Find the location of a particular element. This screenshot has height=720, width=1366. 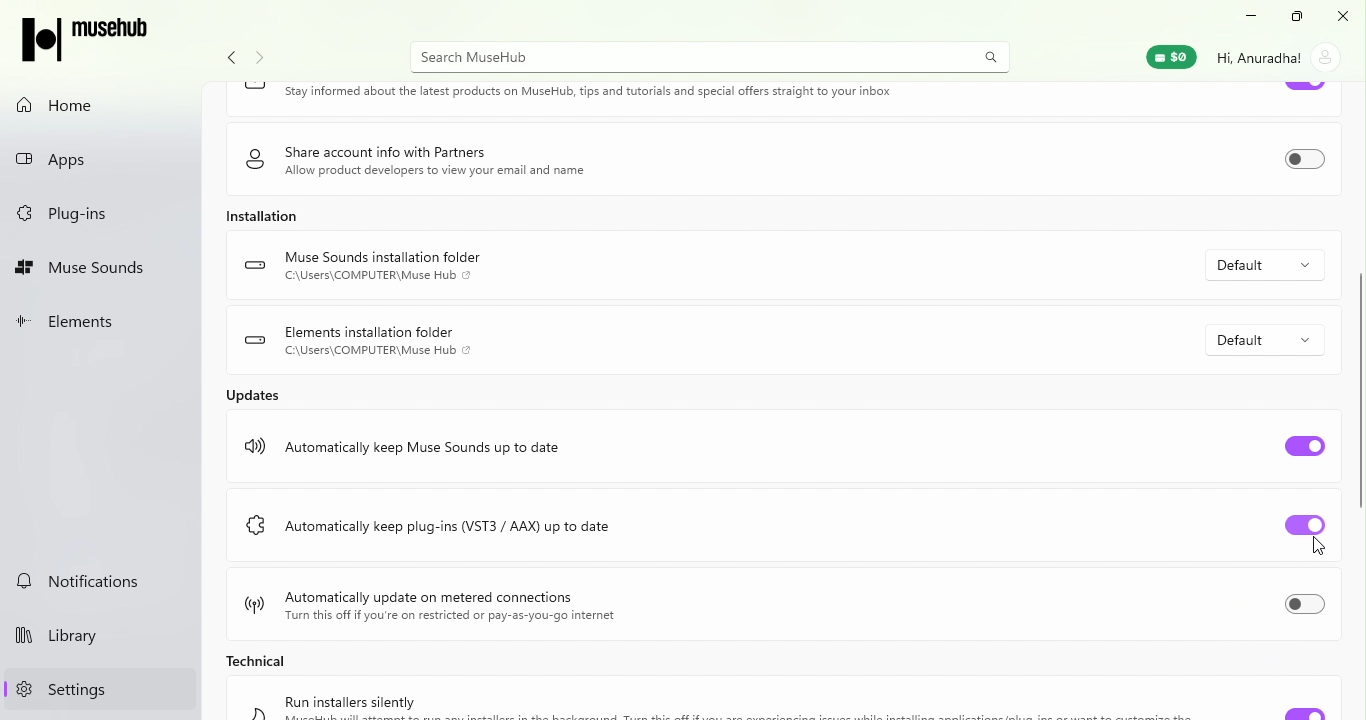

Keep in touch Stay informed about the latest products on MuseHub, tips and tutorials and special offers straight to your inbox is located at coordinates (592, 93).